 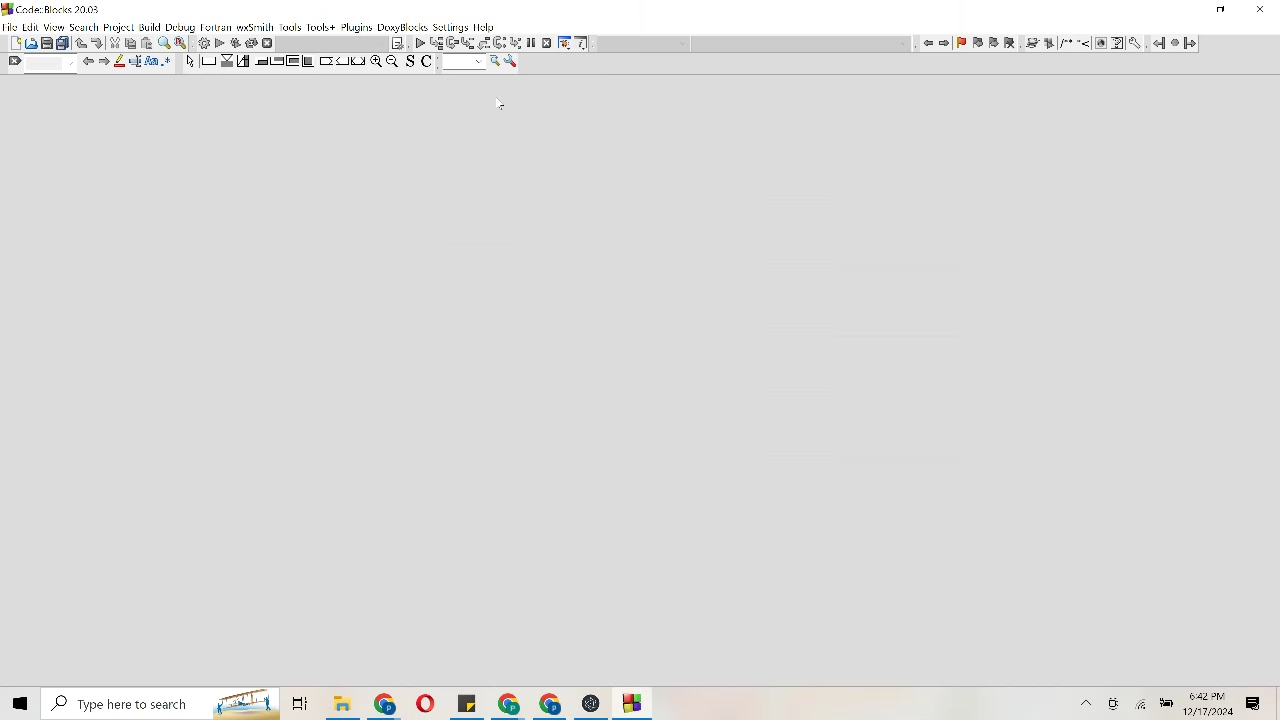 What do you see at coordinates (1167, 702) in the screenshot?
I see `Battery` at bounding box center [1167, 702].